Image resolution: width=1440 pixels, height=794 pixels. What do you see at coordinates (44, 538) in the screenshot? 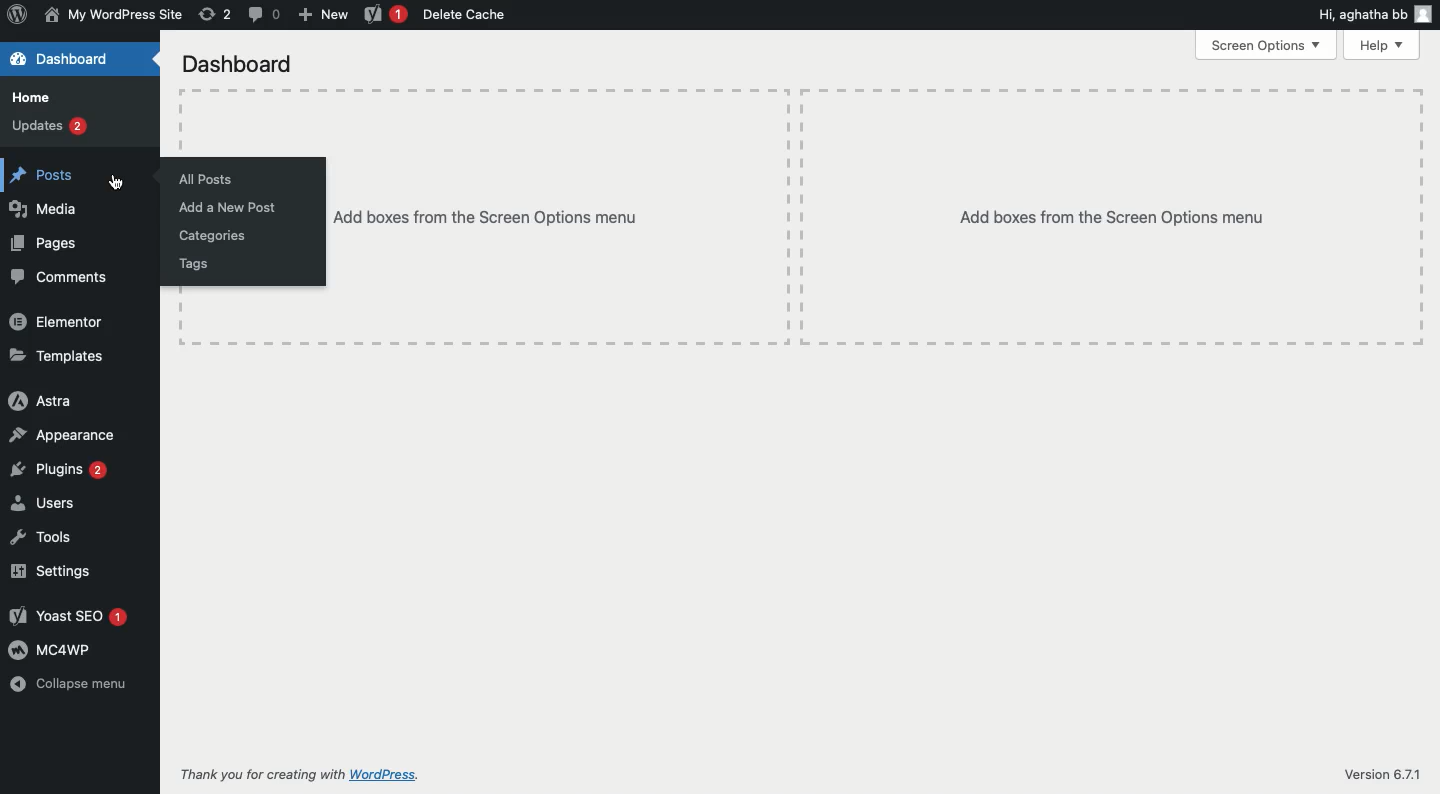
I see `Tools` at bounding box center [44, 538].